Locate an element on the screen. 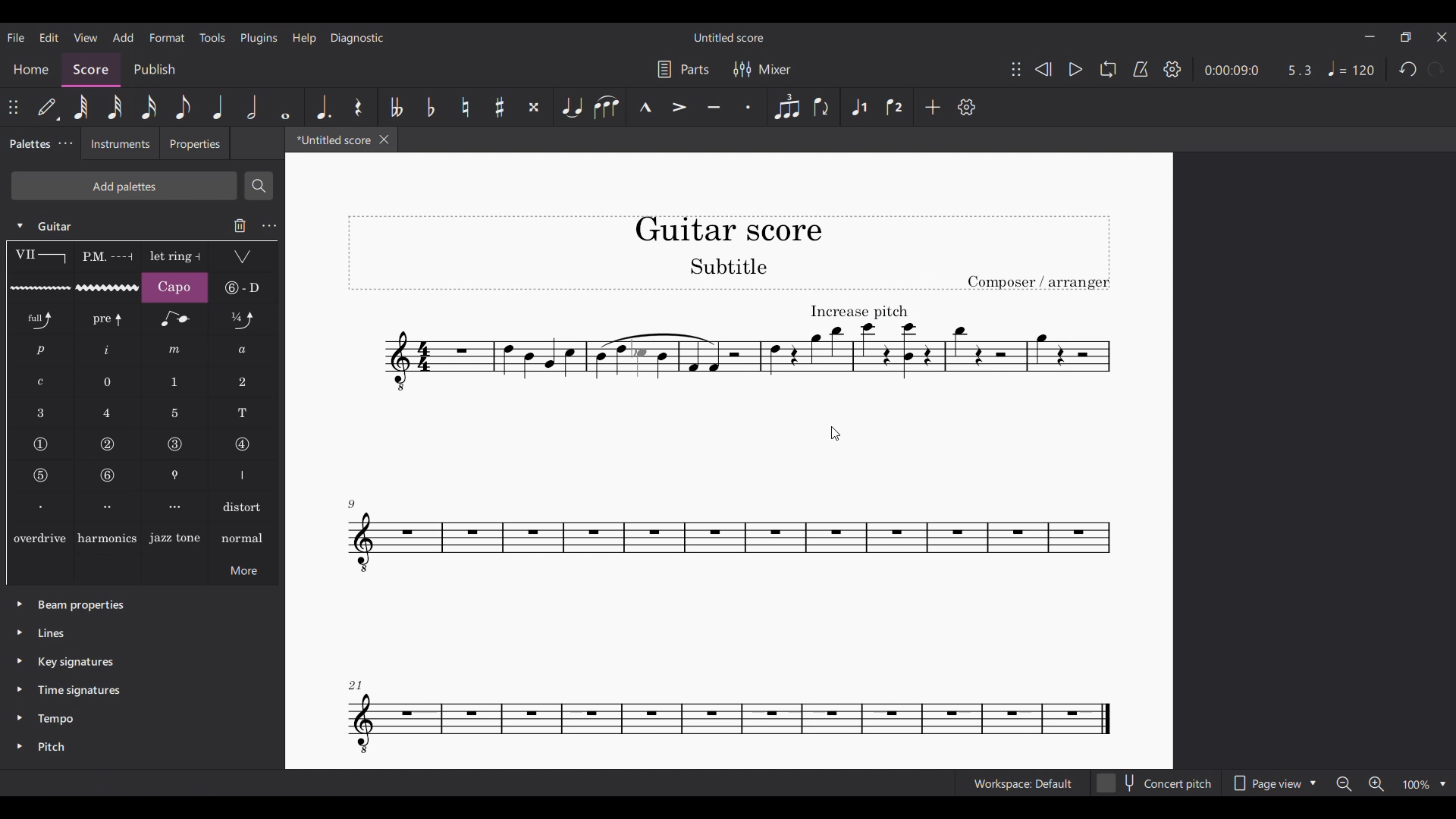 The width and height of the screenshot is (1456, 819). Add palette is located at coordinates (124, 186).